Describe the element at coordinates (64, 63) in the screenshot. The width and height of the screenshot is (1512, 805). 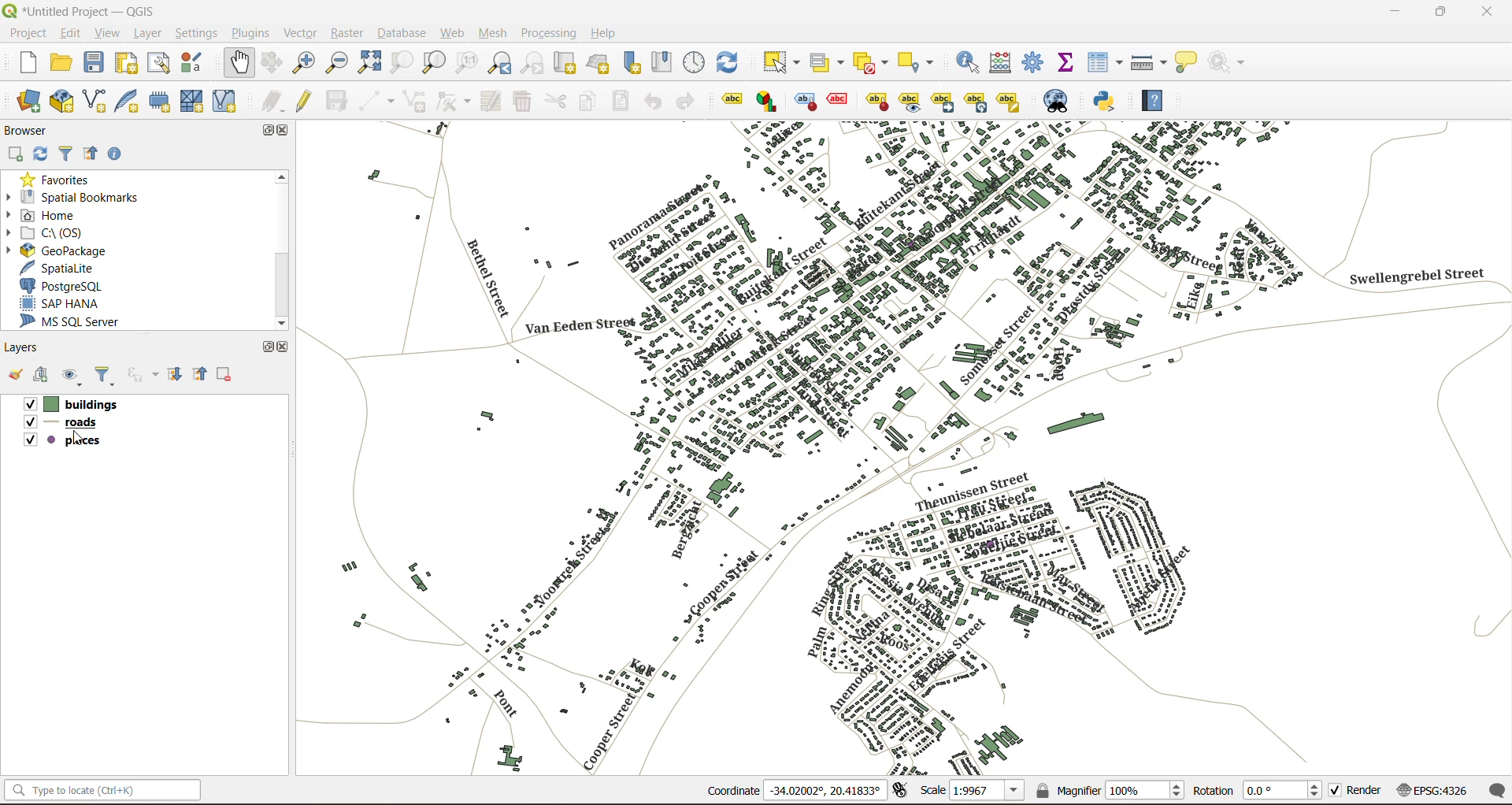
I see `open` at that location.